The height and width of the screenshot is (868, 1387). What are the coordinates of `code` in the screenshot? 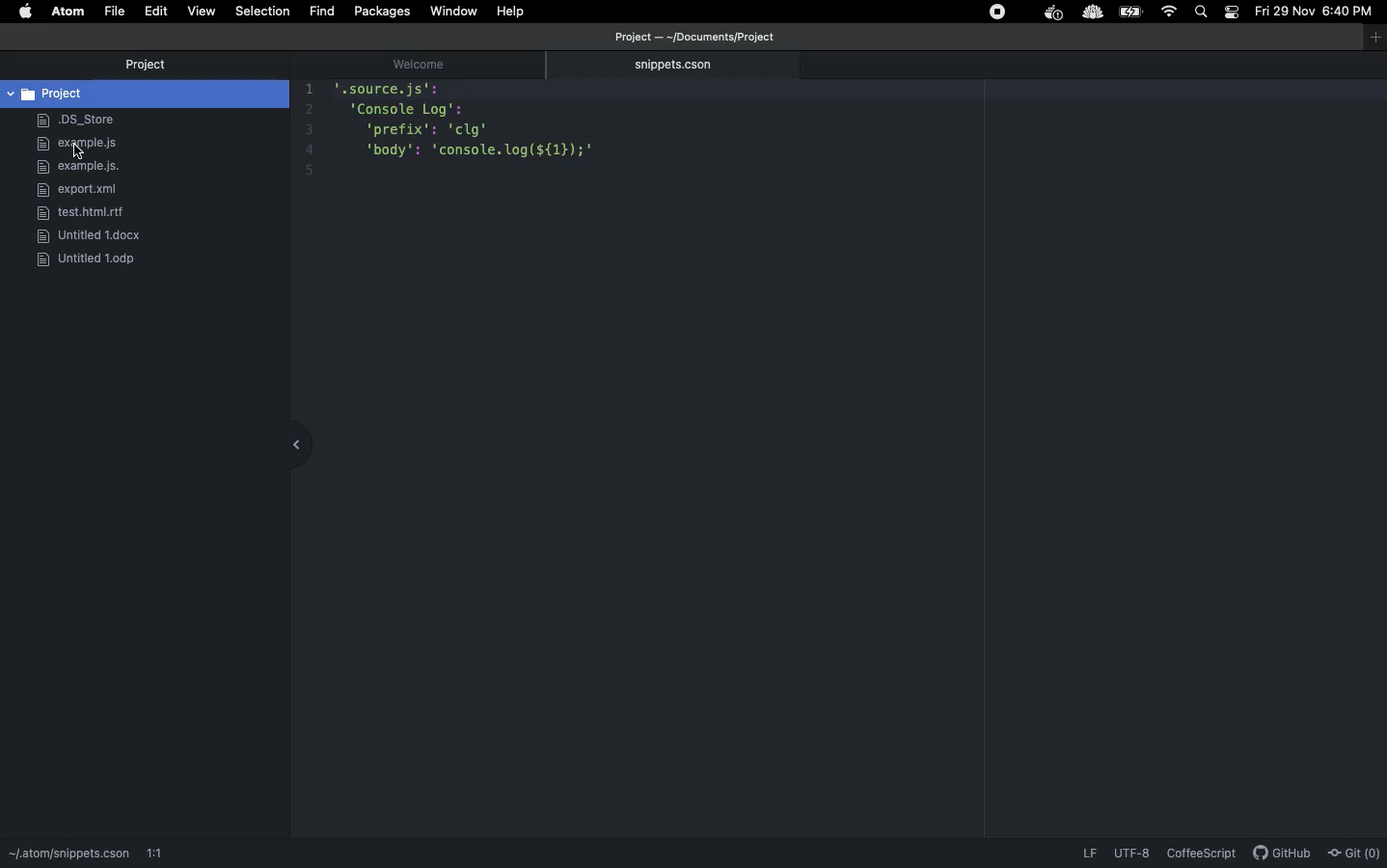 It's located at (495, 125).